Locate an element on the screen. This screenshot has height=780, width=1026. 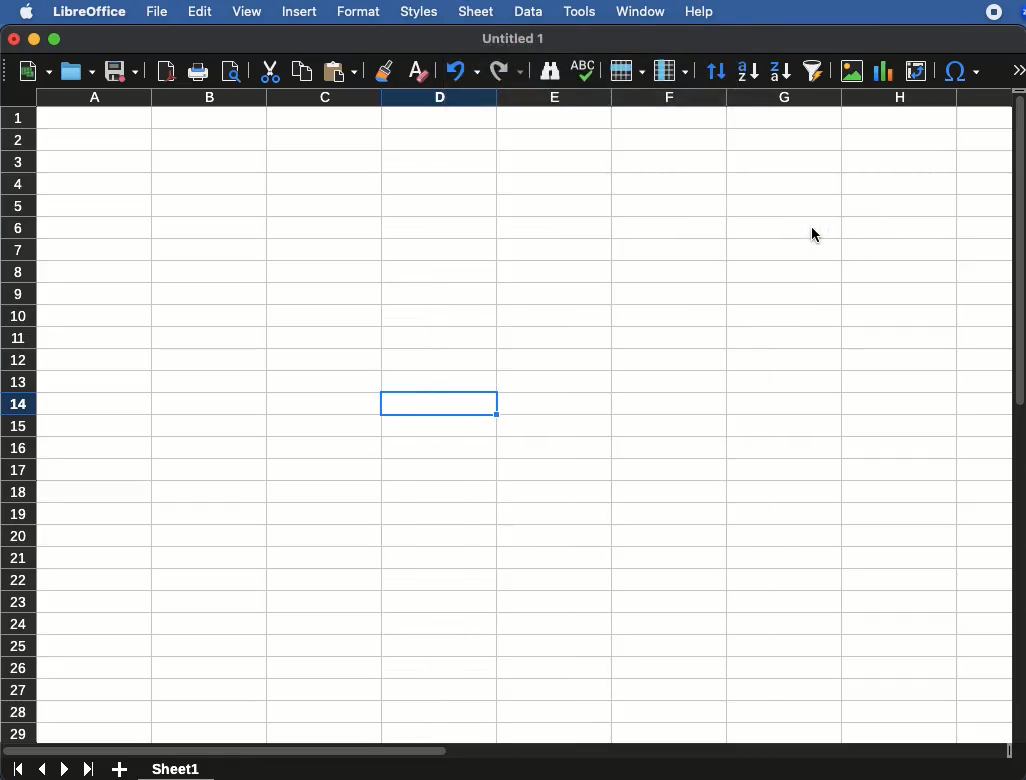
click is located at coordinates (814, 237).